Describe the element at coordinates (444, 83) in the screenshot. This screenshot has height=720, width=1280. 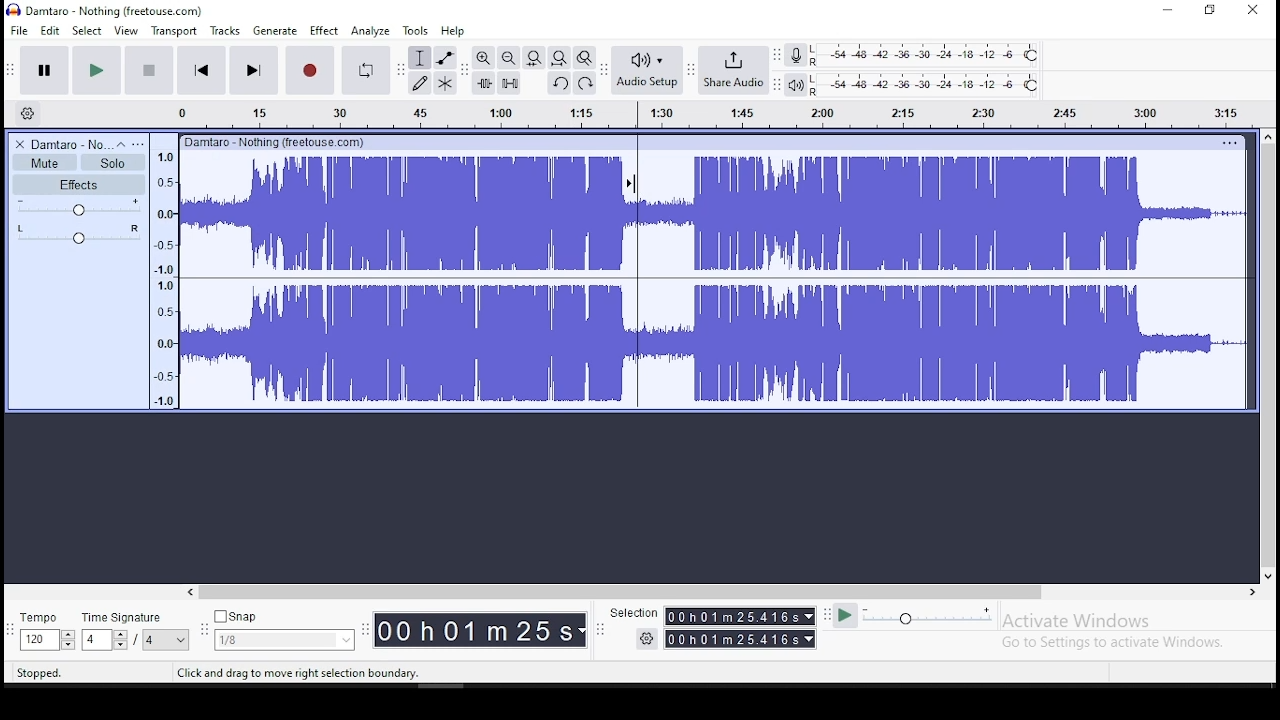
I see `multi tool` at that location.